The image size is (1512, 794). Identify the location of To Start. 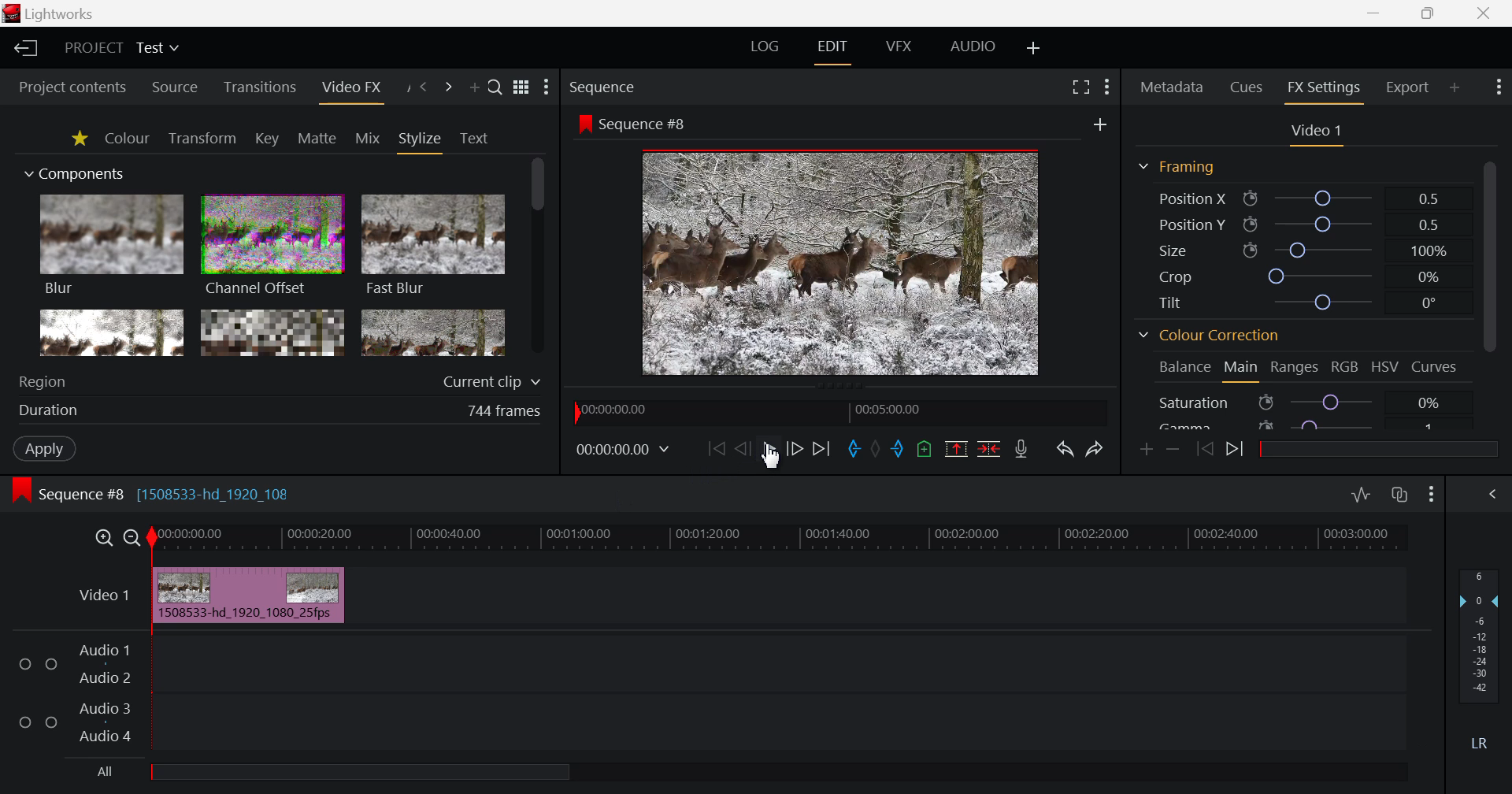
(717, 449).